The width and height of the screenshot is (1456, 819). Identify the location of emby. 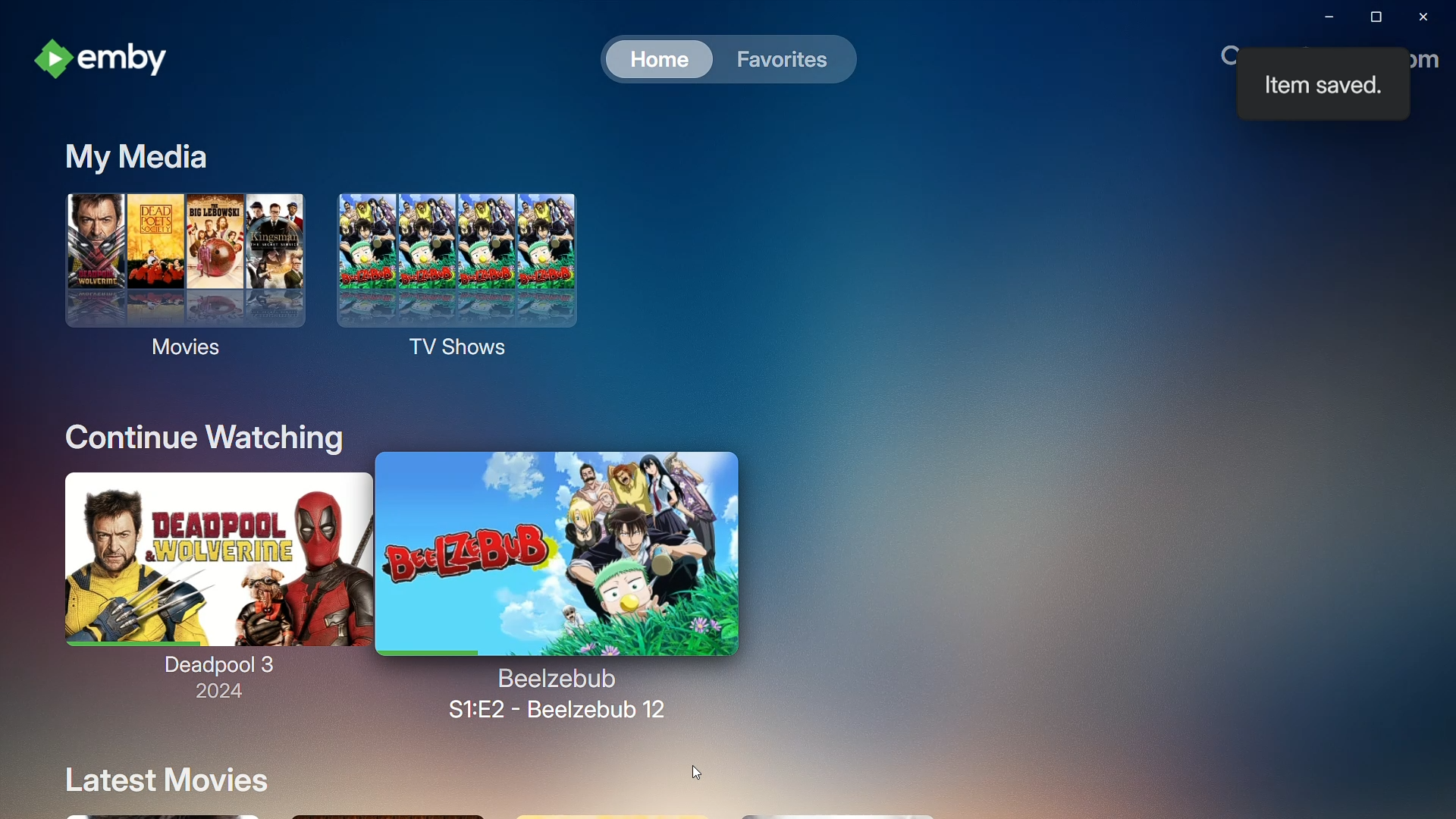
(137, 61).